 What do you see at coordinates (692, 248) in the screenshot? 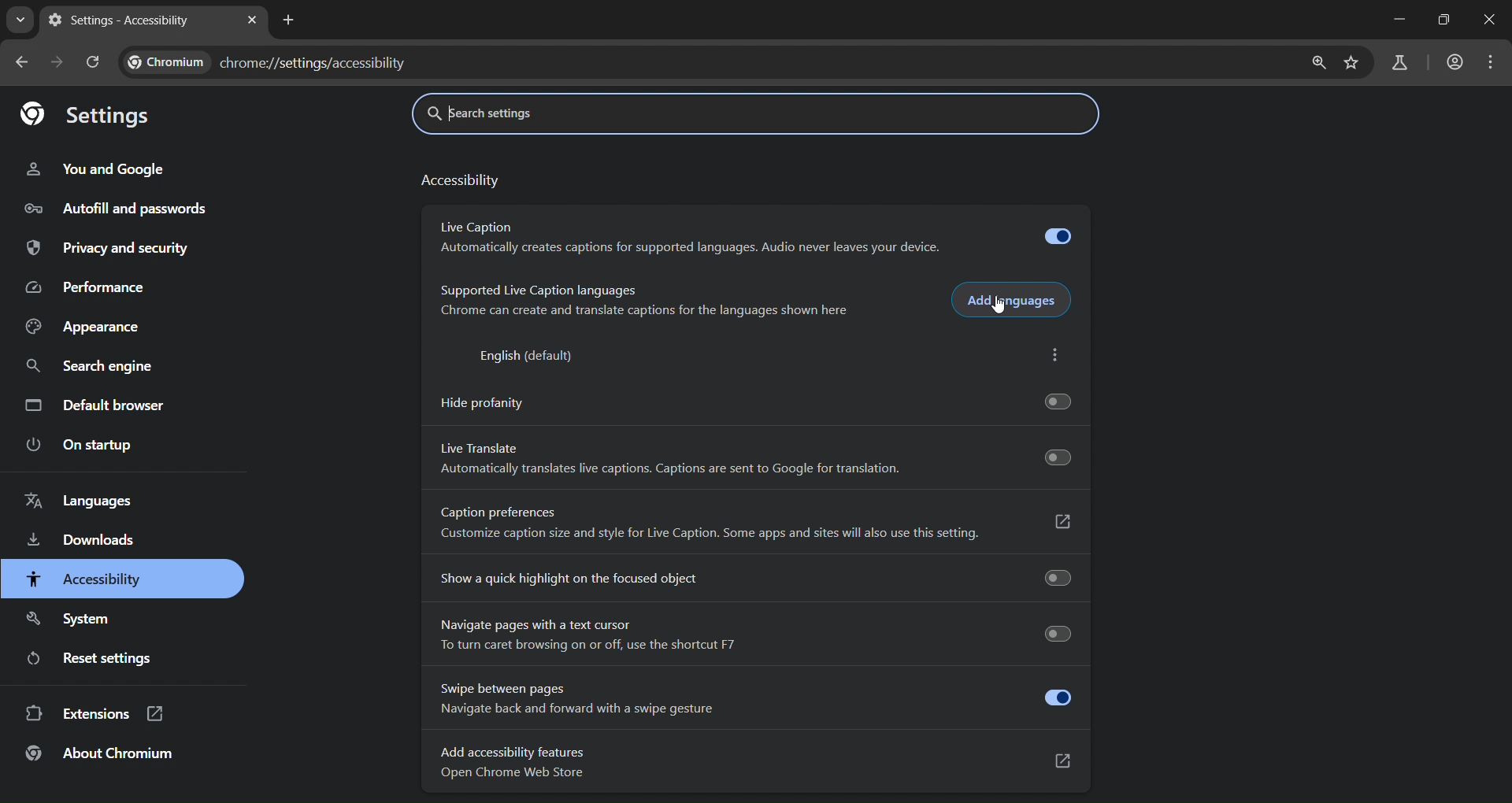
I see `automatically creates captions Tor supported languages. Audio never leaves your device.` at bounding box center [692, 248].